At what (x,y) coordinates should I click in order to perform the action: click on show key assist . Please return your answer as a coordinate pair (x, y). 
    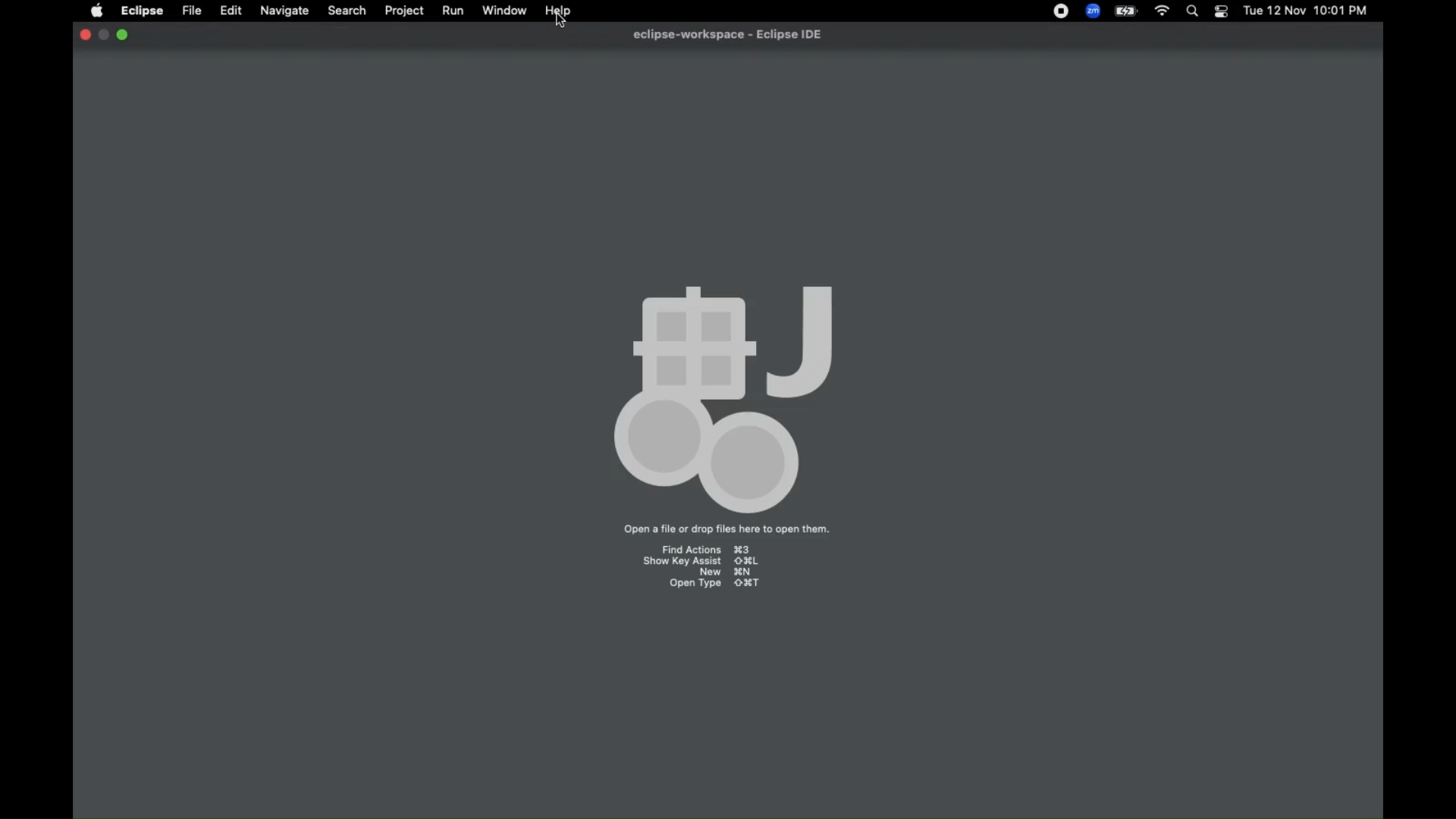
    Looking at the image, I should click on (702, 563).